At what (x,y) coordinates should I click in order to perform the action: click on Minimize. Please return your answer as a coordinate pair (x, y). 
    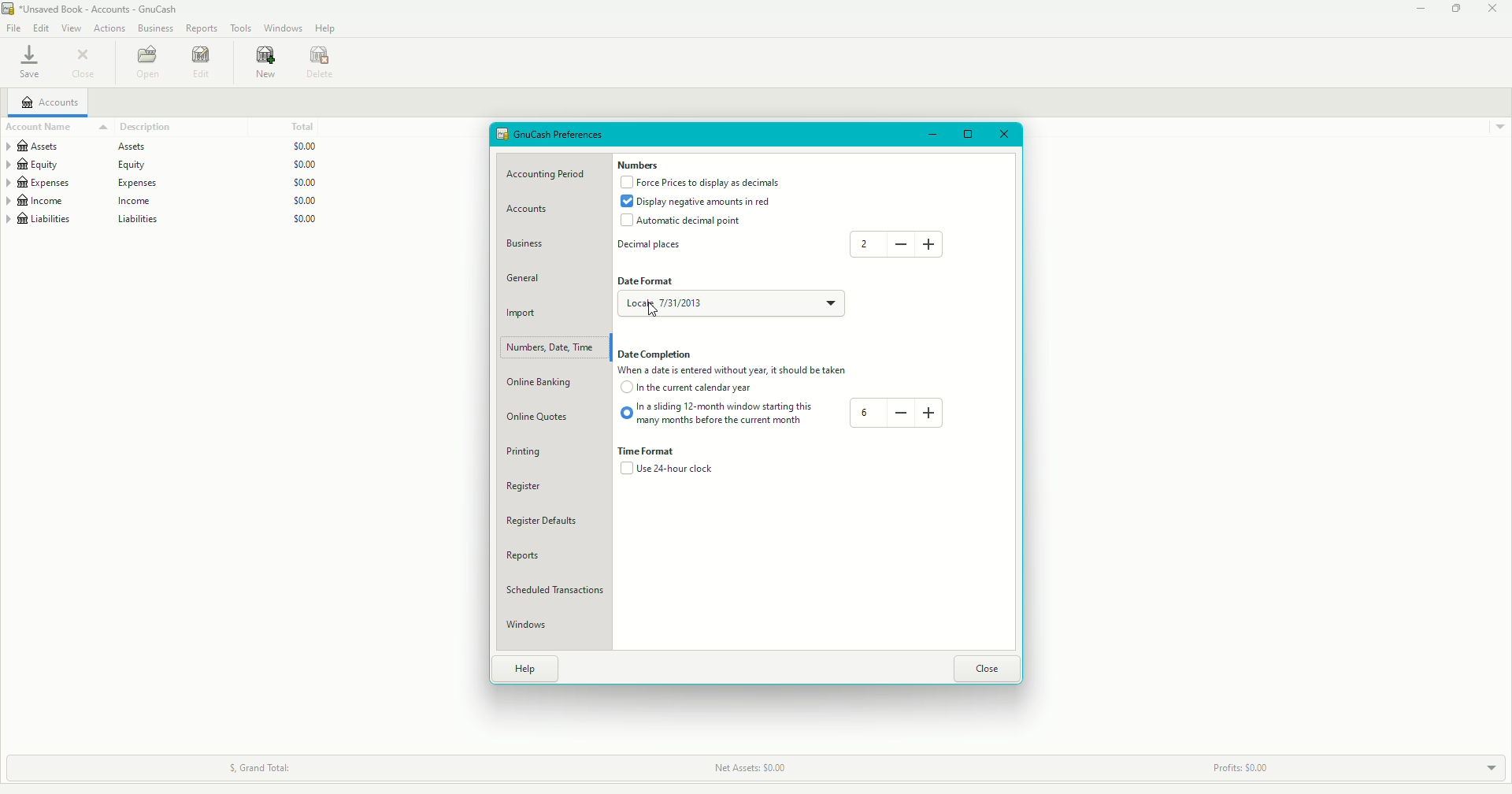
    Looking at the image, I should click on (1417, 10).